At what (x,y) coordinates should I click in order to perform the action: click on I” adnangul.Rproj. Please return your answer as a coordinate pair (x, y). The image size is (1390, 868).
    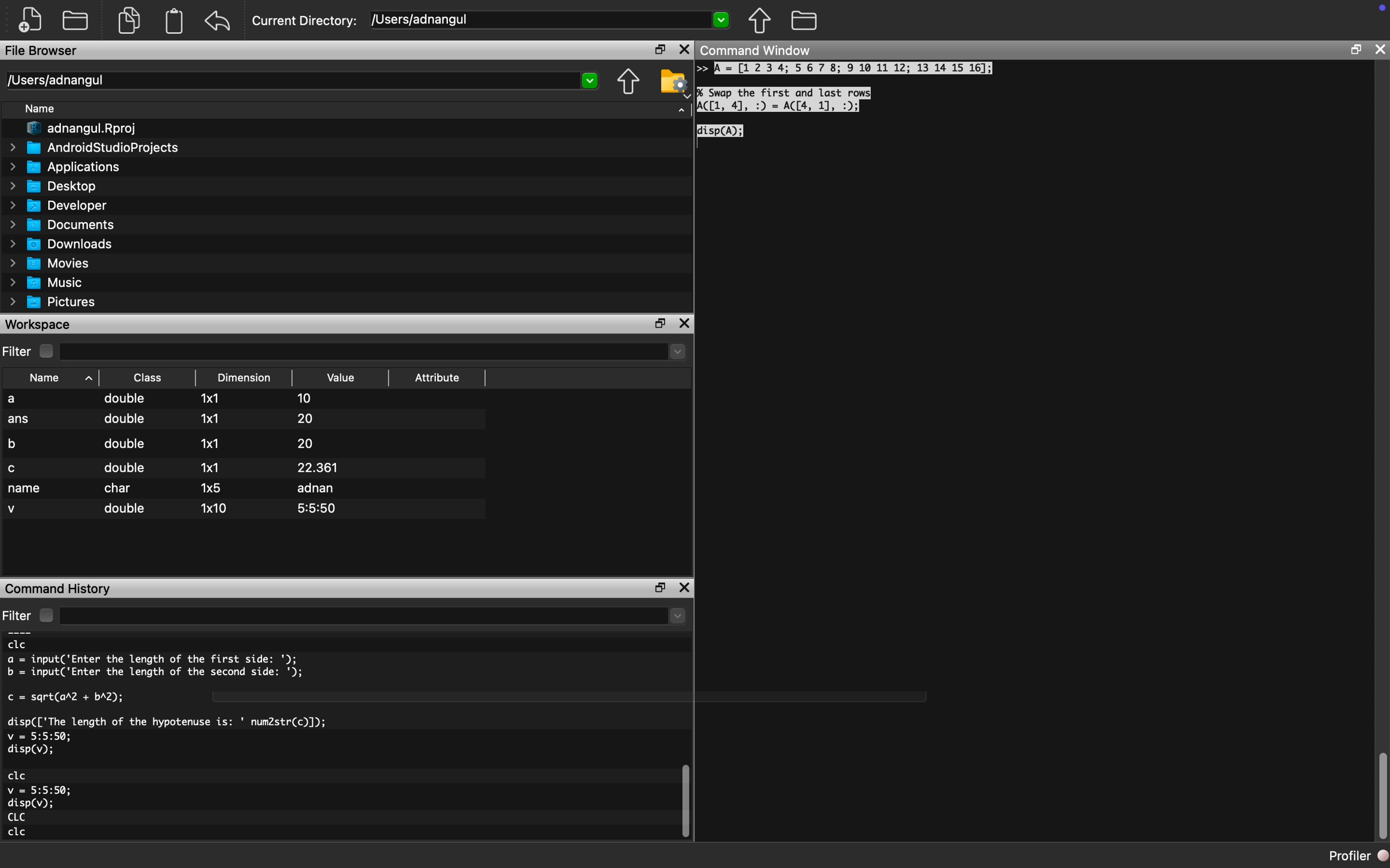
    Looking at the image, I should click on (77, 128).